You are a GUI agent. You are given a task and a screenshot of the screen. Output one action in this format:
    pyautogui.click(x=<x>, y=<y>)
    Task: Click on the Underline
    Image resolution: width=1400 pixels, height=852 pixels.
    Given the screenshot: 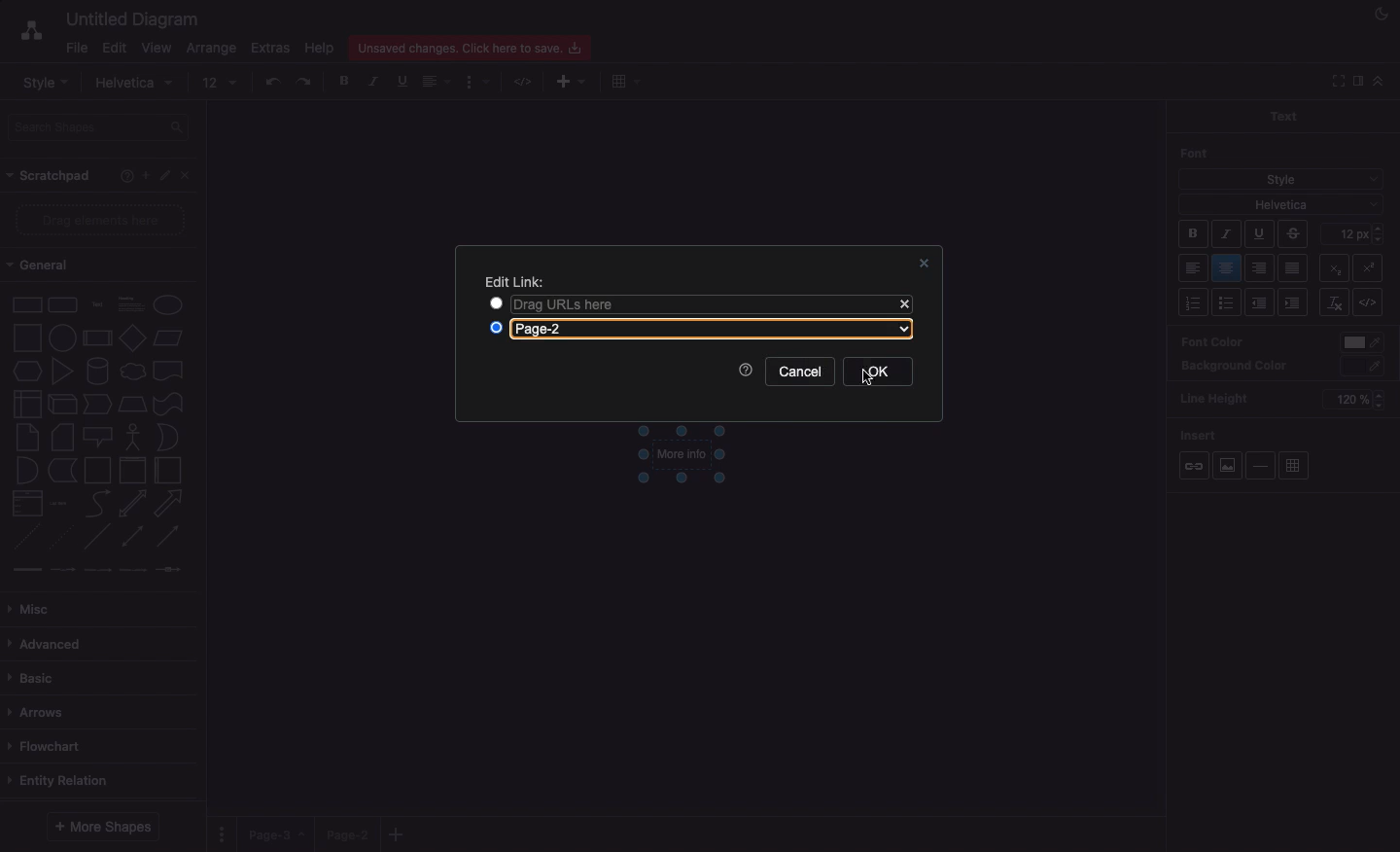 What is the action you would take?
    pyautogui.click(x=401, y=81)
    